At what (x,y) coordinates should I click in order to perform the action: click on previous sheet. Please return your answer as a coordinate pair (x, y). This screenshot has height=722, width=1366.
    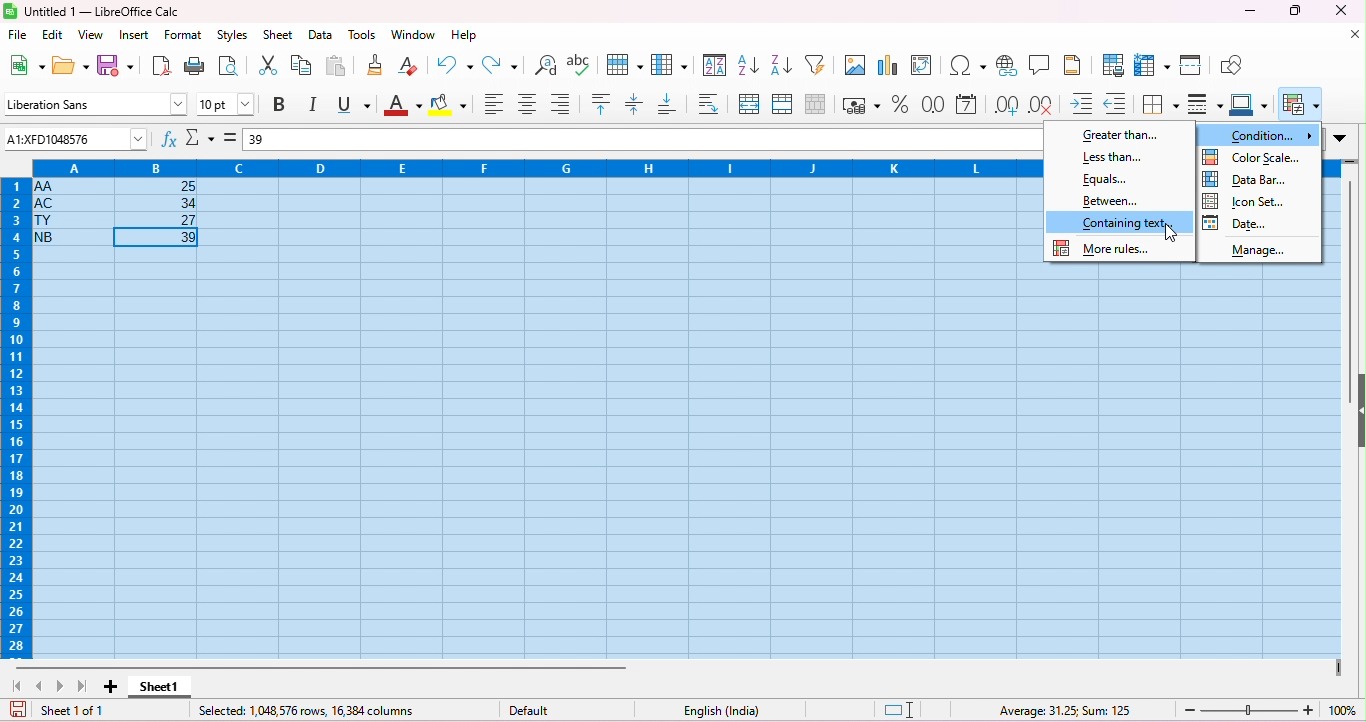
    Looking at the image, I should click on (41, 686).